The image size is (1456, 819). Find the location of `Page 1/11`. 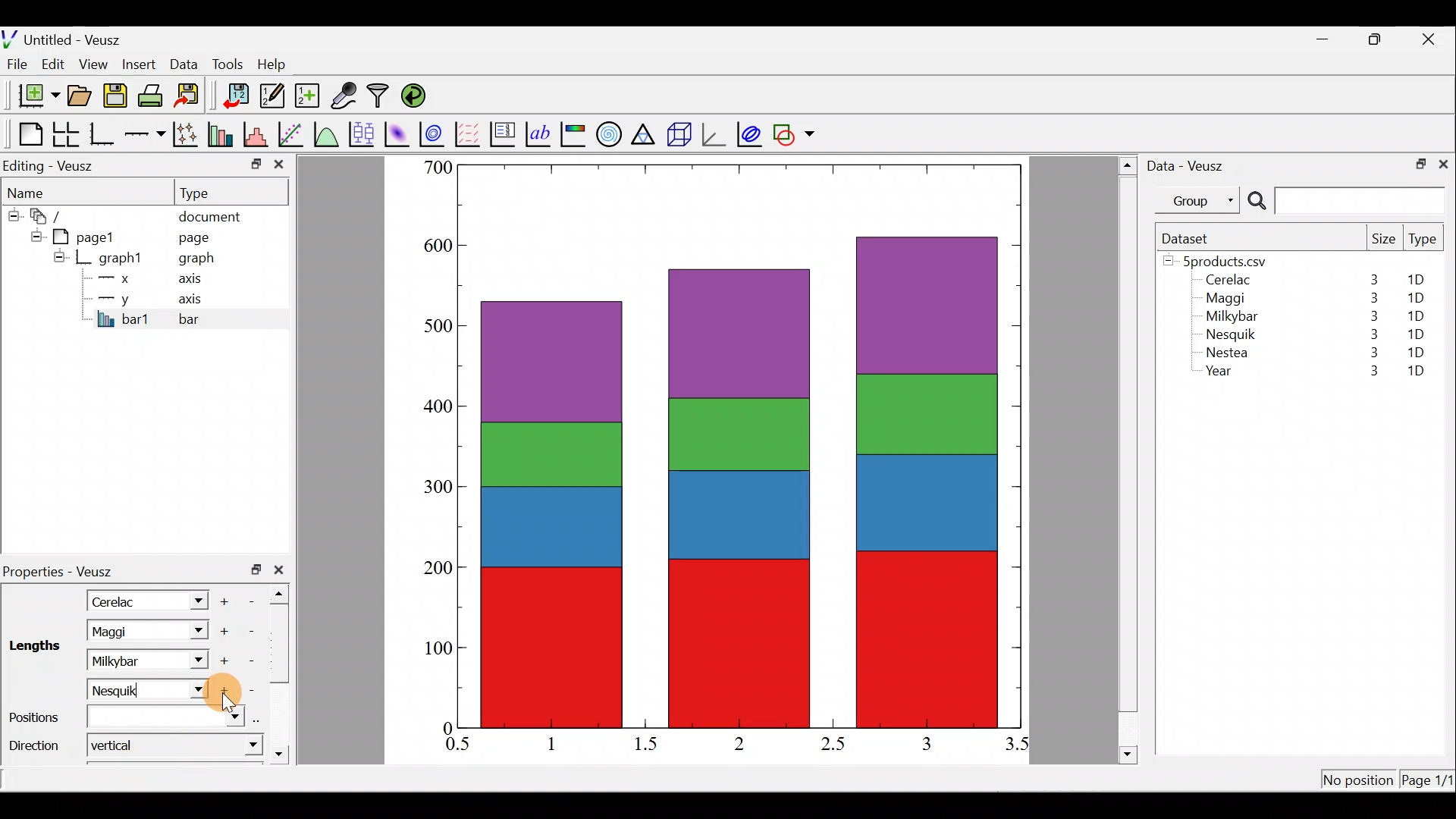

Page 1/11 is located at coordinates (1429, 783).